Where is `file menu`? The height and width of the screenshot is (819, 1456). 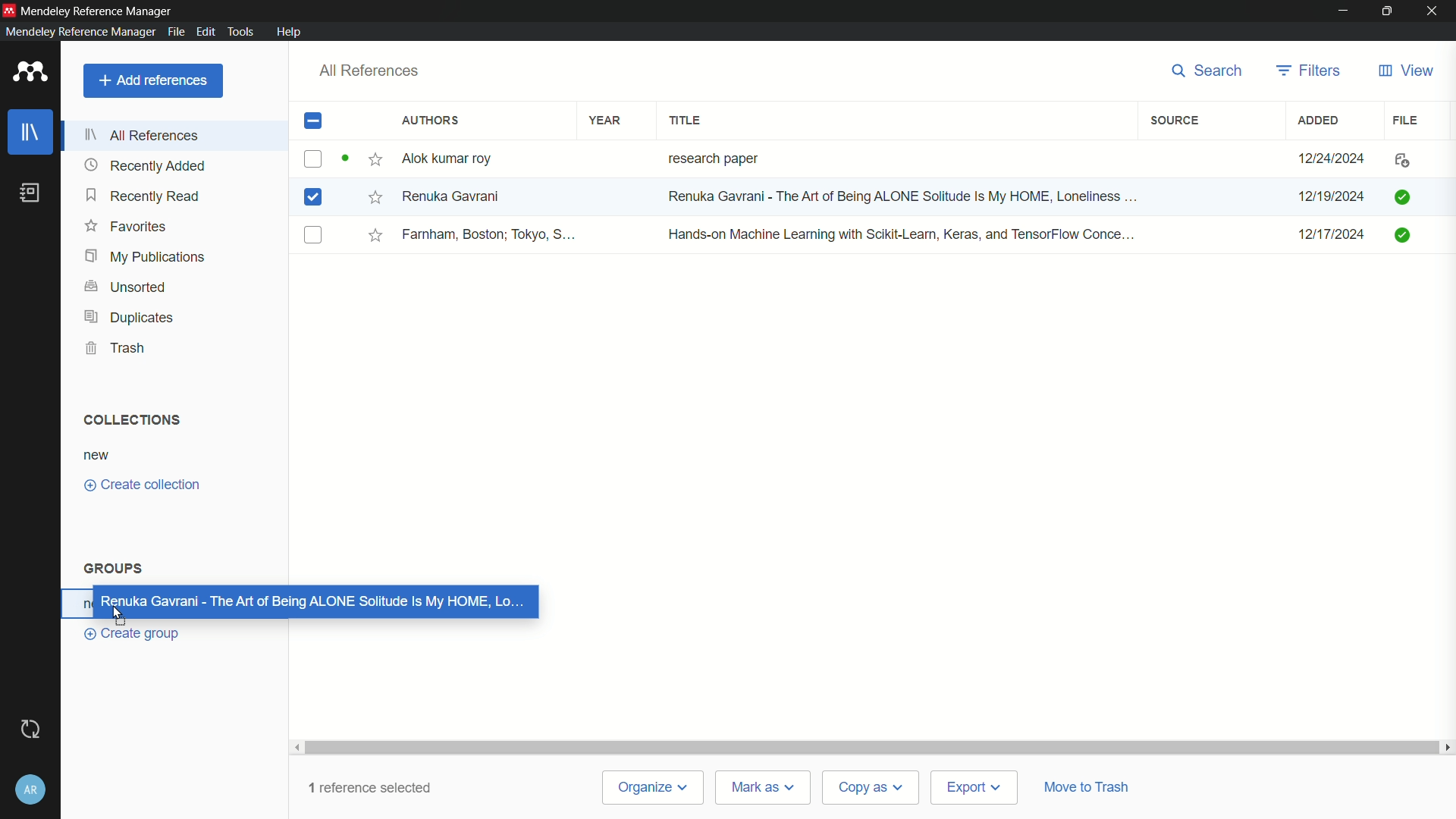 file menu is located at coordinates (174, 30).